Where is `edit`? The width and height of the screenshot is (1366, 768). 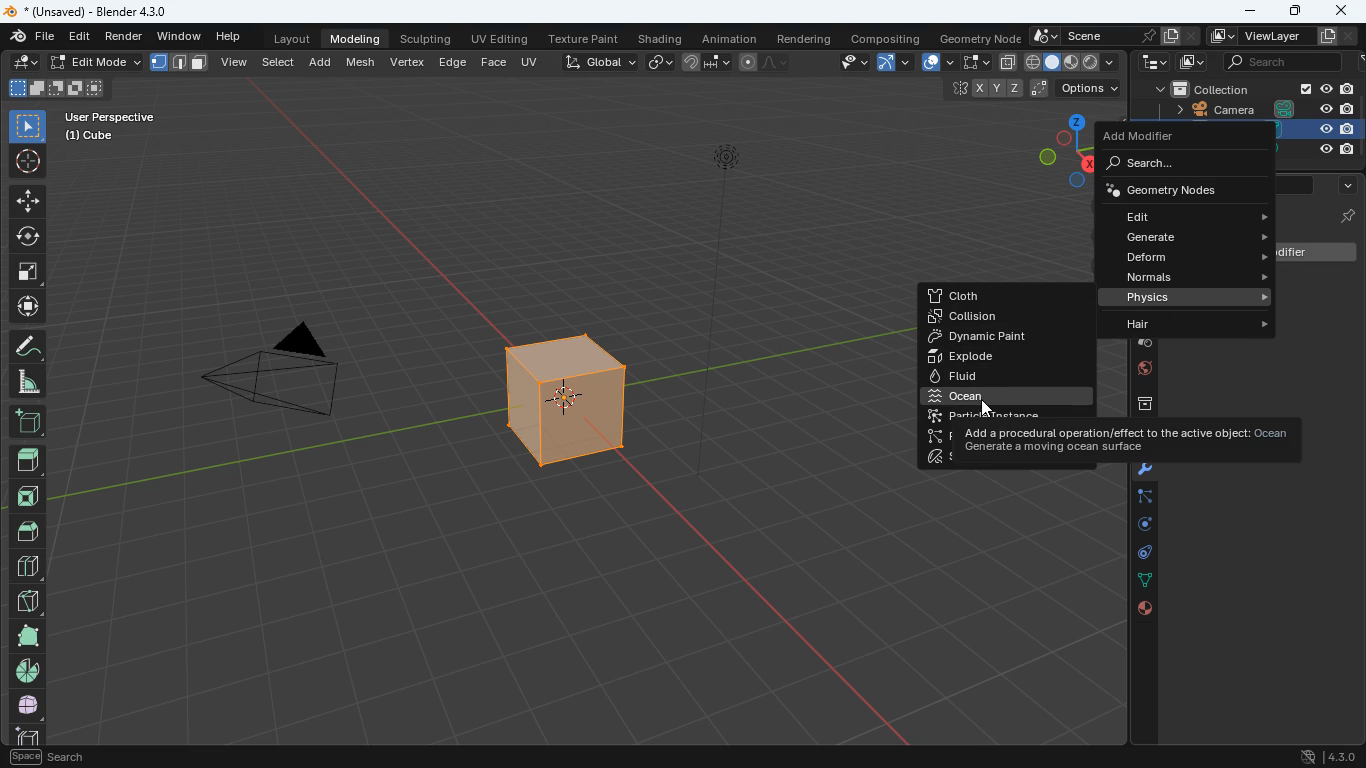
edit is located at coordinates (844, 64).